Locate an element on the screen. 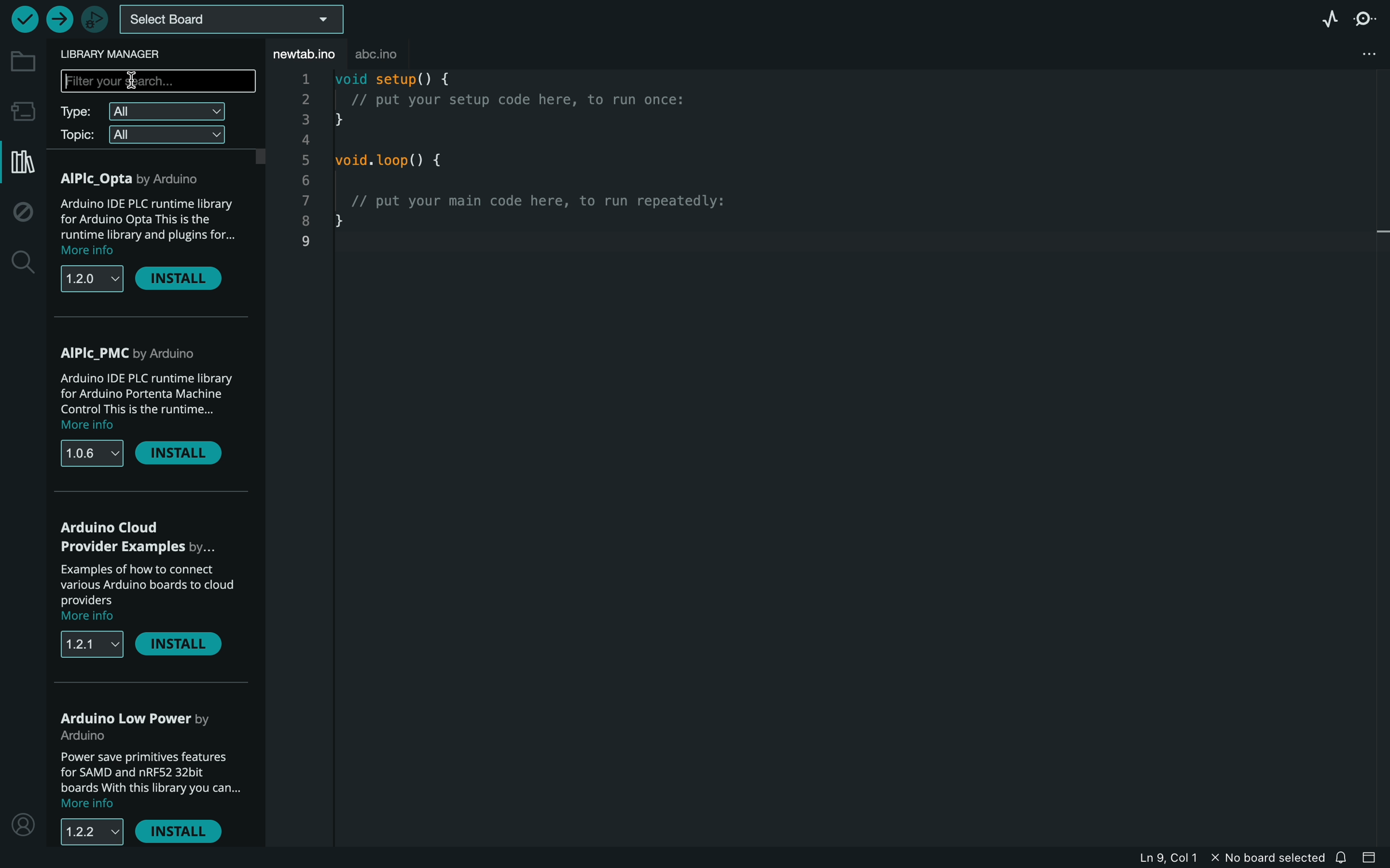  AlPlc PMC is located at coordinates (137, 352).